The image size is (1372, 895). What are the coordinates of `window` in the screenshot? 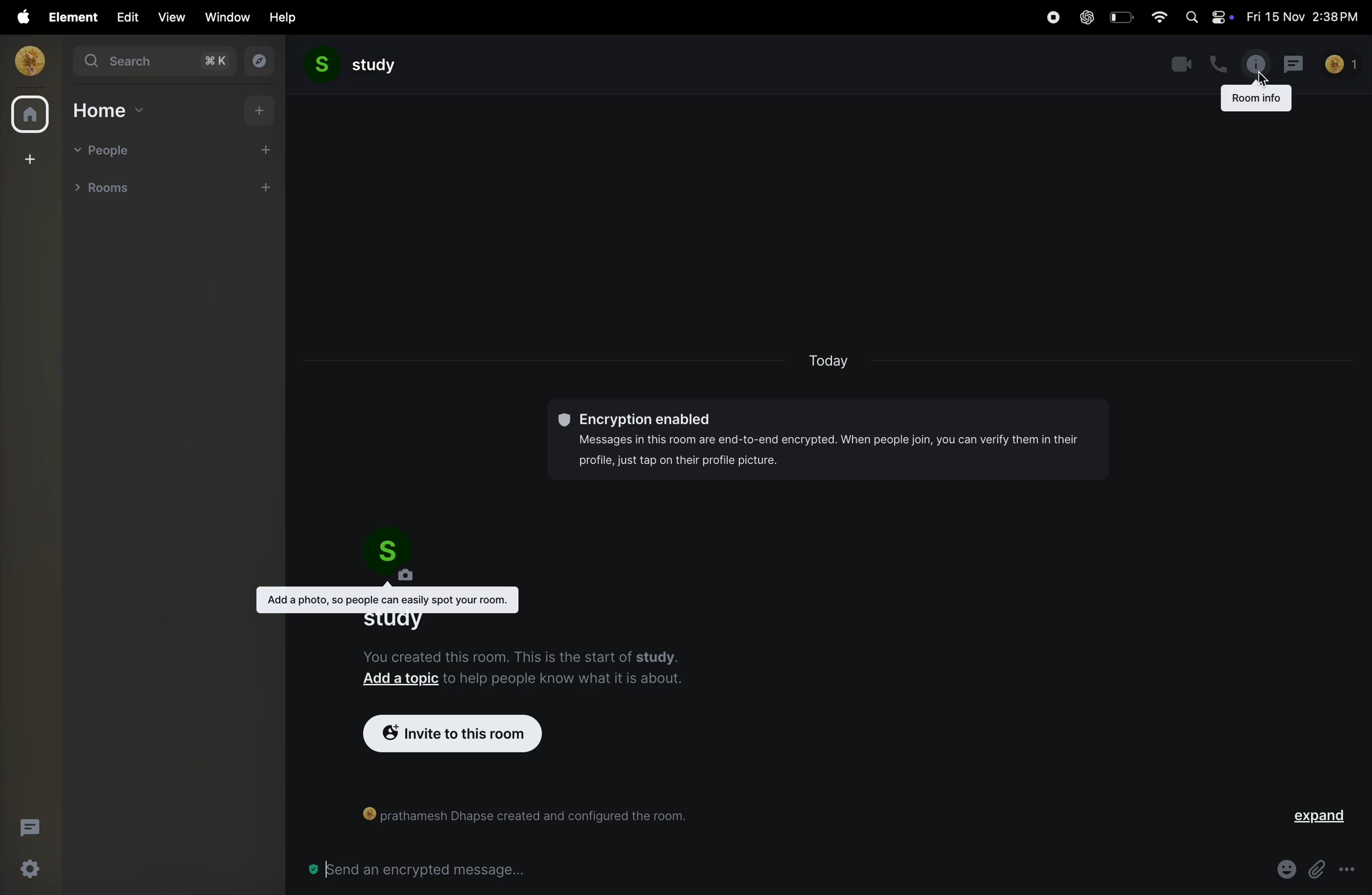 It's located at (228, 17).